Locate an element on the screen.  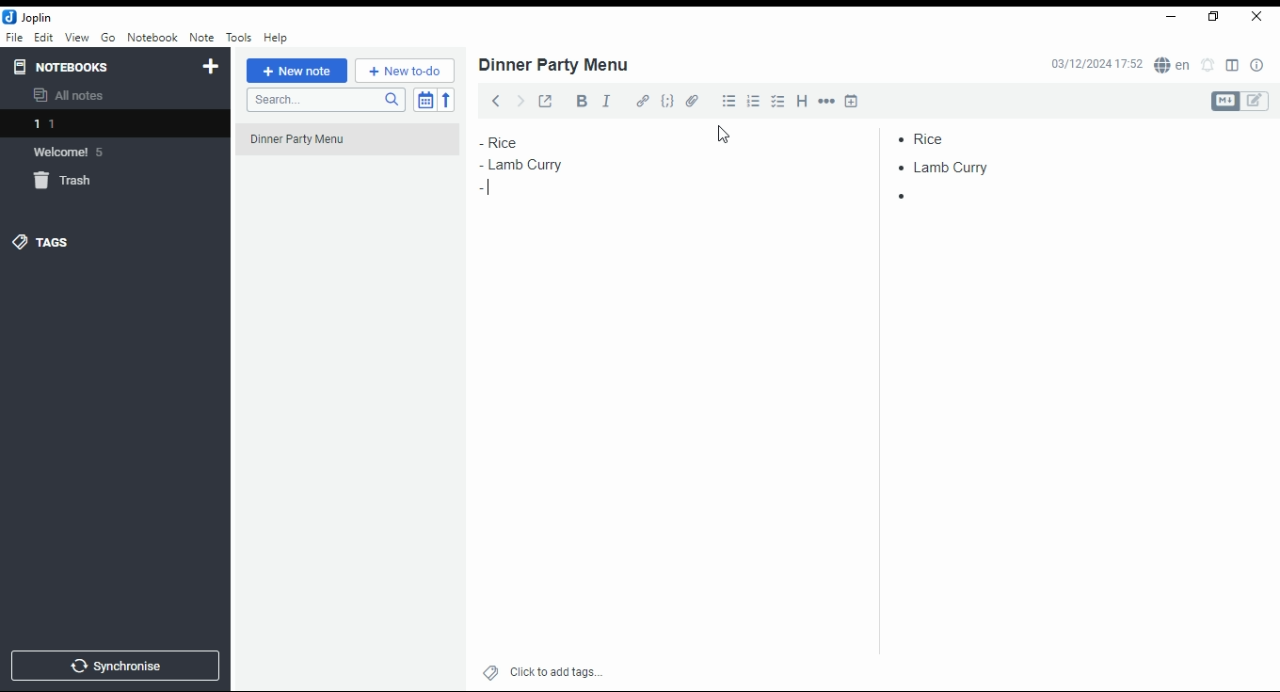
rice is located at coordinates (946, 136).